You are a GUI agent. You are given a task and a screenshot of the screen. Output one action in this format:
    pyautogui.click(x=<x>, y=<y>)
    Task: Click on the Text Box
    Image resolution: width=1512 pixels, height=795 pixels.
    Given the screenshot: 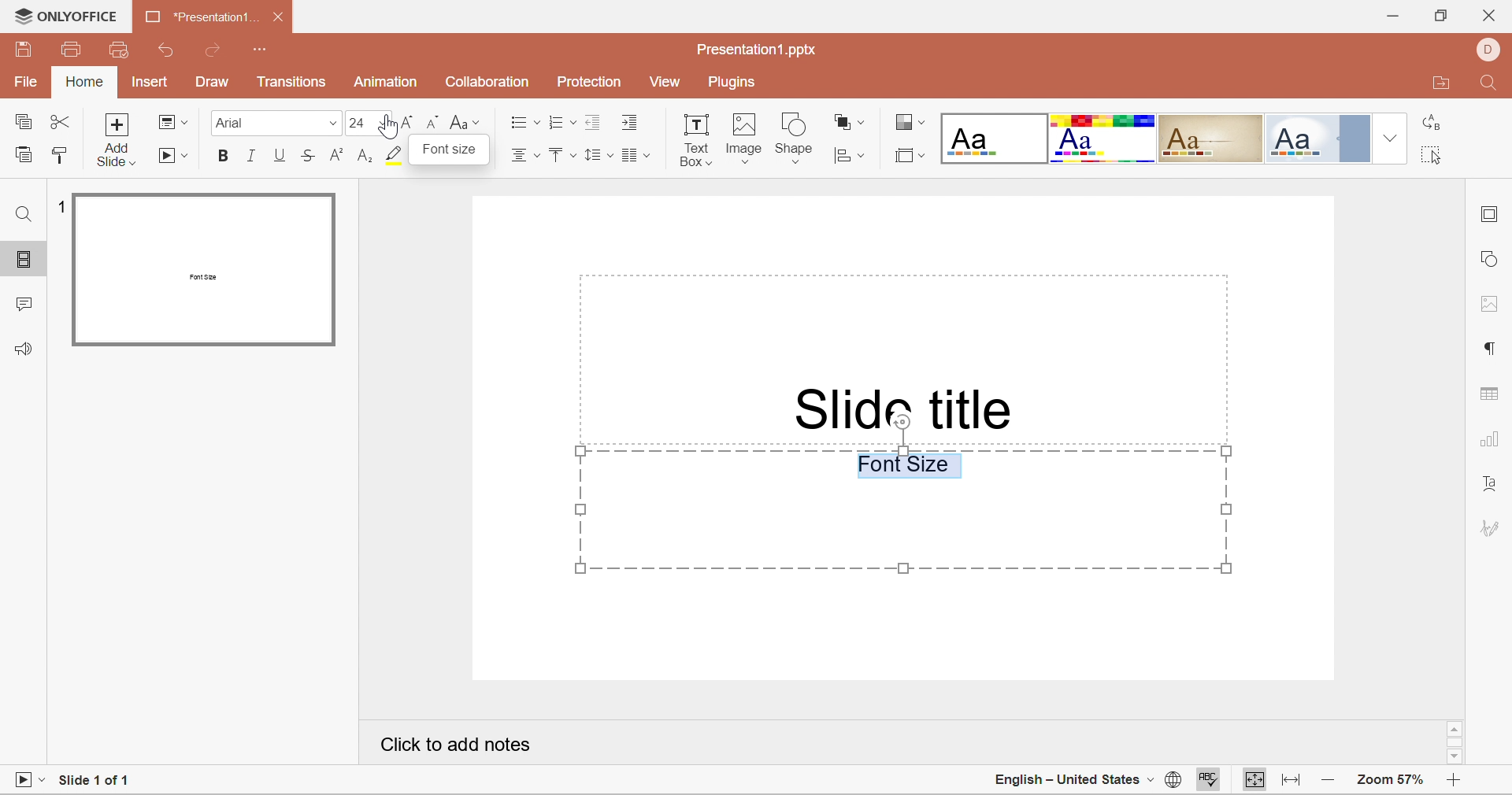 What is the action you would take?
    pyautogui.click(x=695, y=142)
    